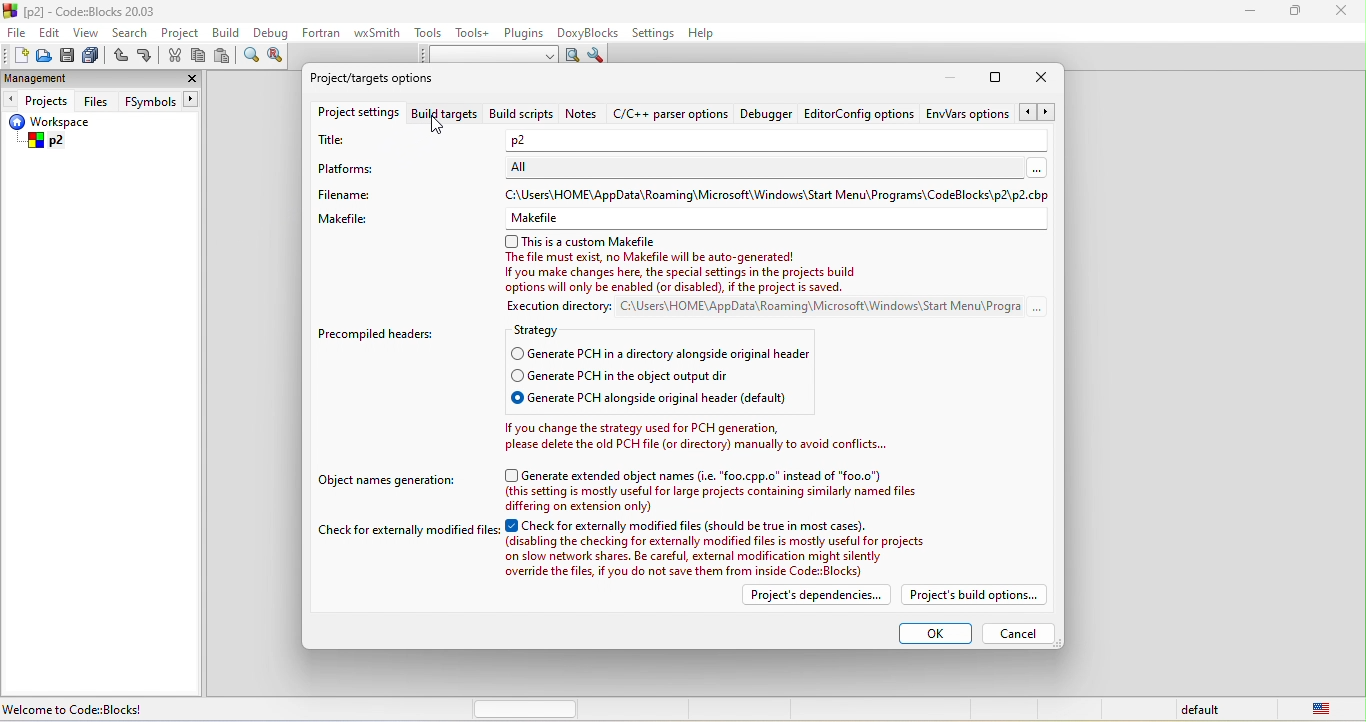  Describe the element at coordinates (68, 55) in the screenshot. I see `save` at that location.